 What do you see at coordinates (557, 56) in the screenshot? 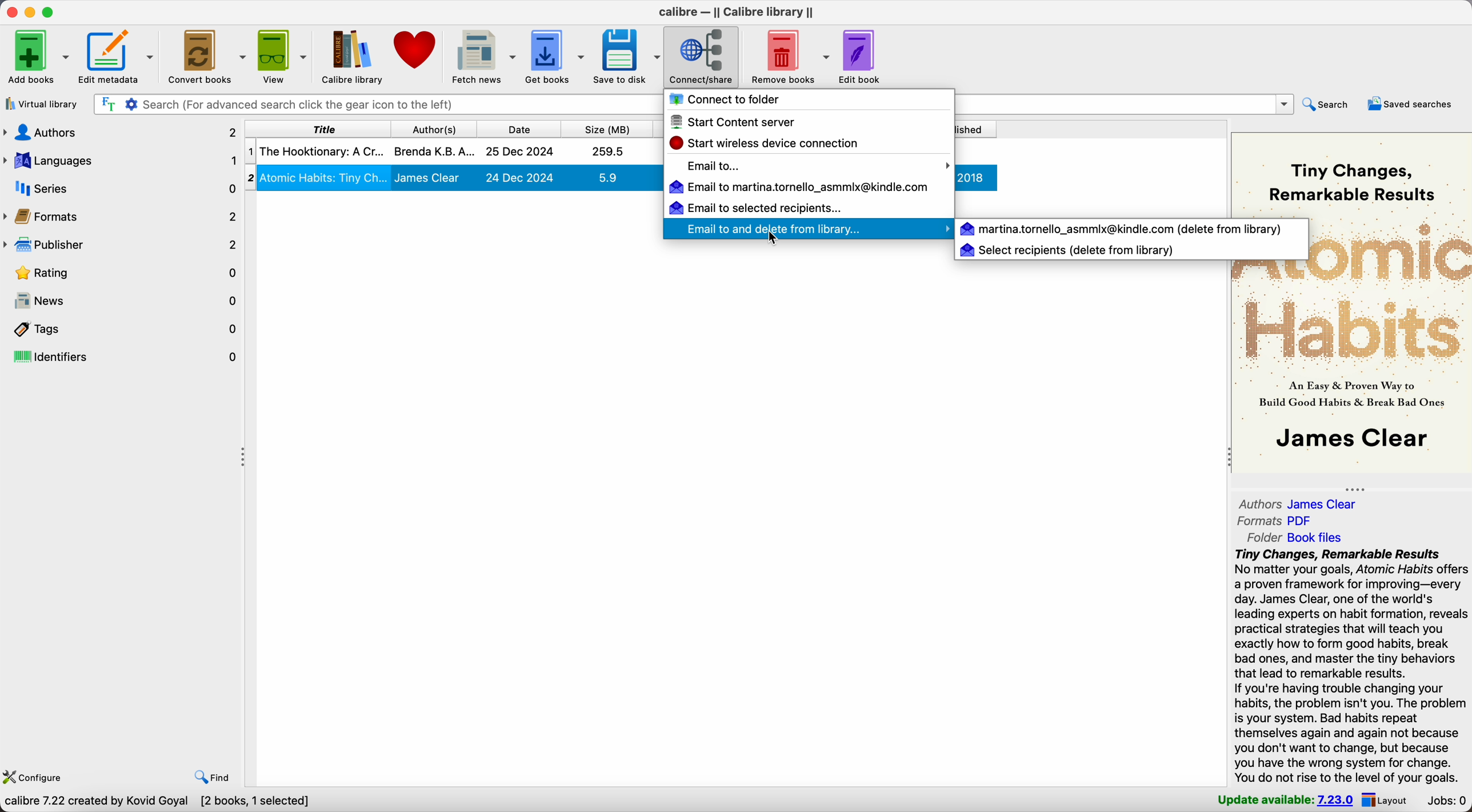
I see `get books` at bounding box center [557, 56].